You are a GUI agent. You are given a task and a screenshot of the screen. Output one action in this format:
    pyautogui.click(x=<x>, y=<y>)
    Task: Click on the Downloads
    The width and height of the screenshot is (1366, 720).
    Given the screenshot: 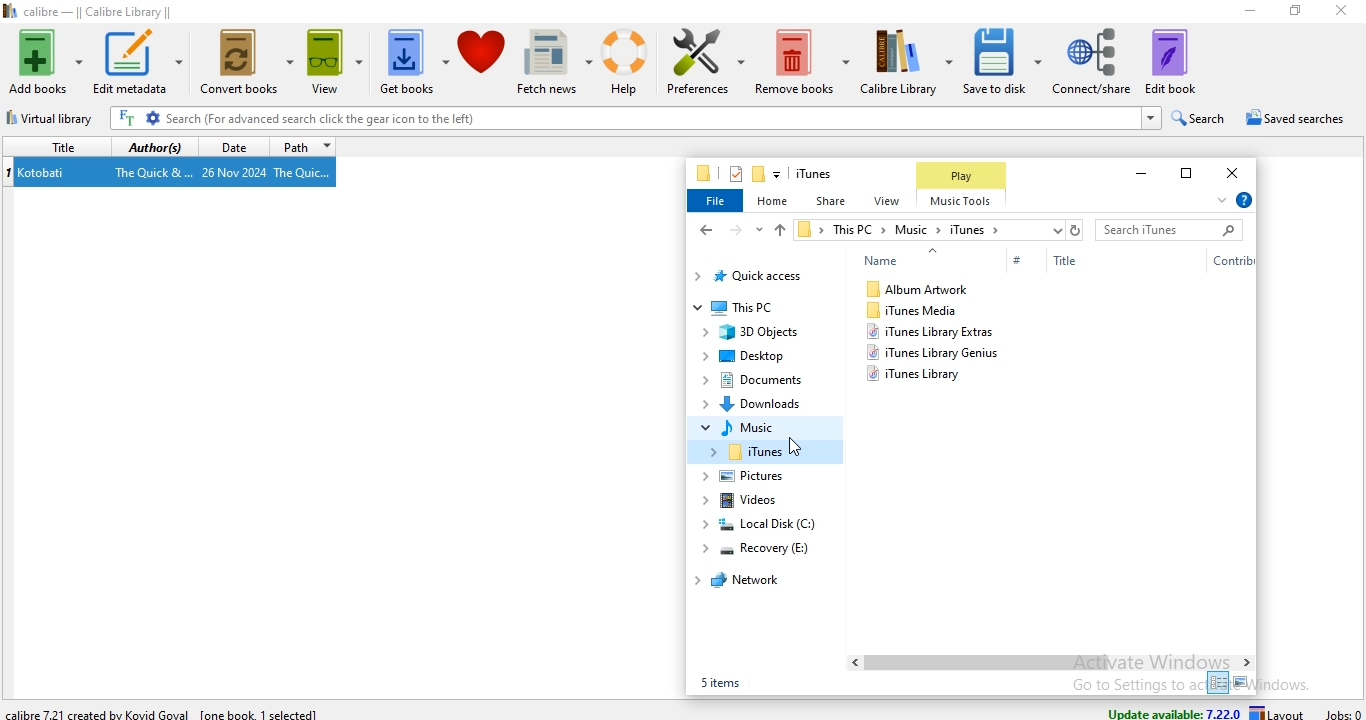 What is the action you would take?
    pyautogui.click(x=760, y=402)
    